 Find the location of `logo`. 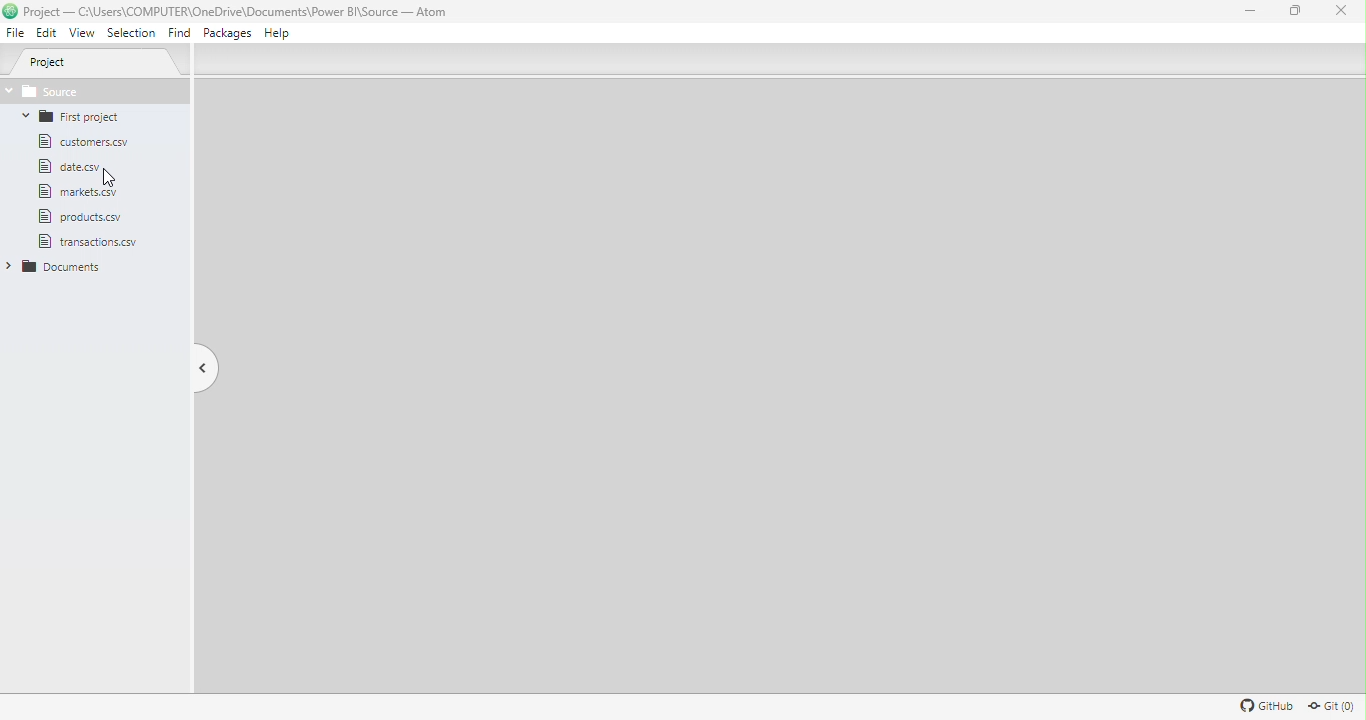

logo is located at coordinates (10, 11).